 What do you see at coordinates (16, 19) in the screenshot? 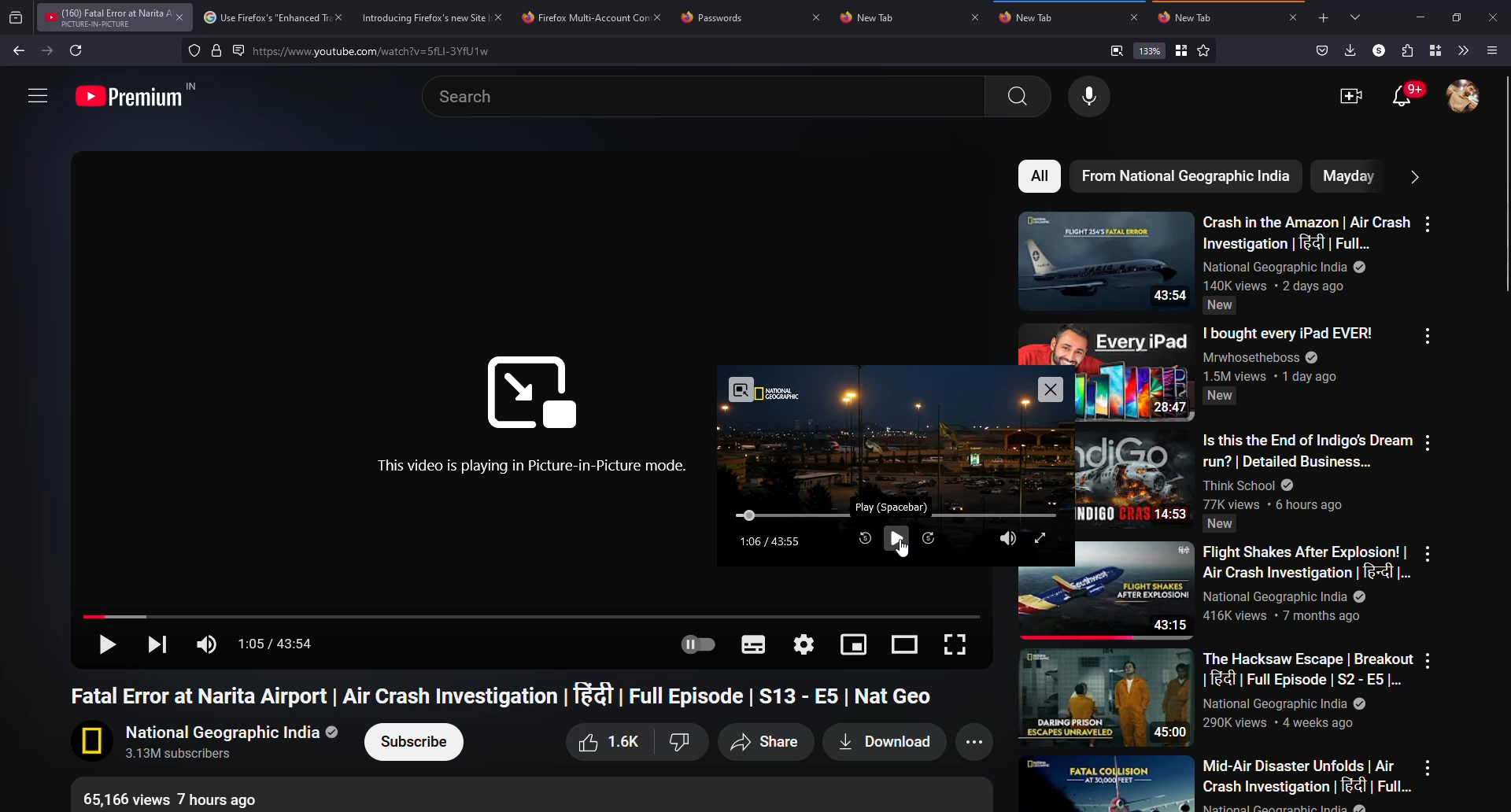
I see `` at bounding box center [16, 19].